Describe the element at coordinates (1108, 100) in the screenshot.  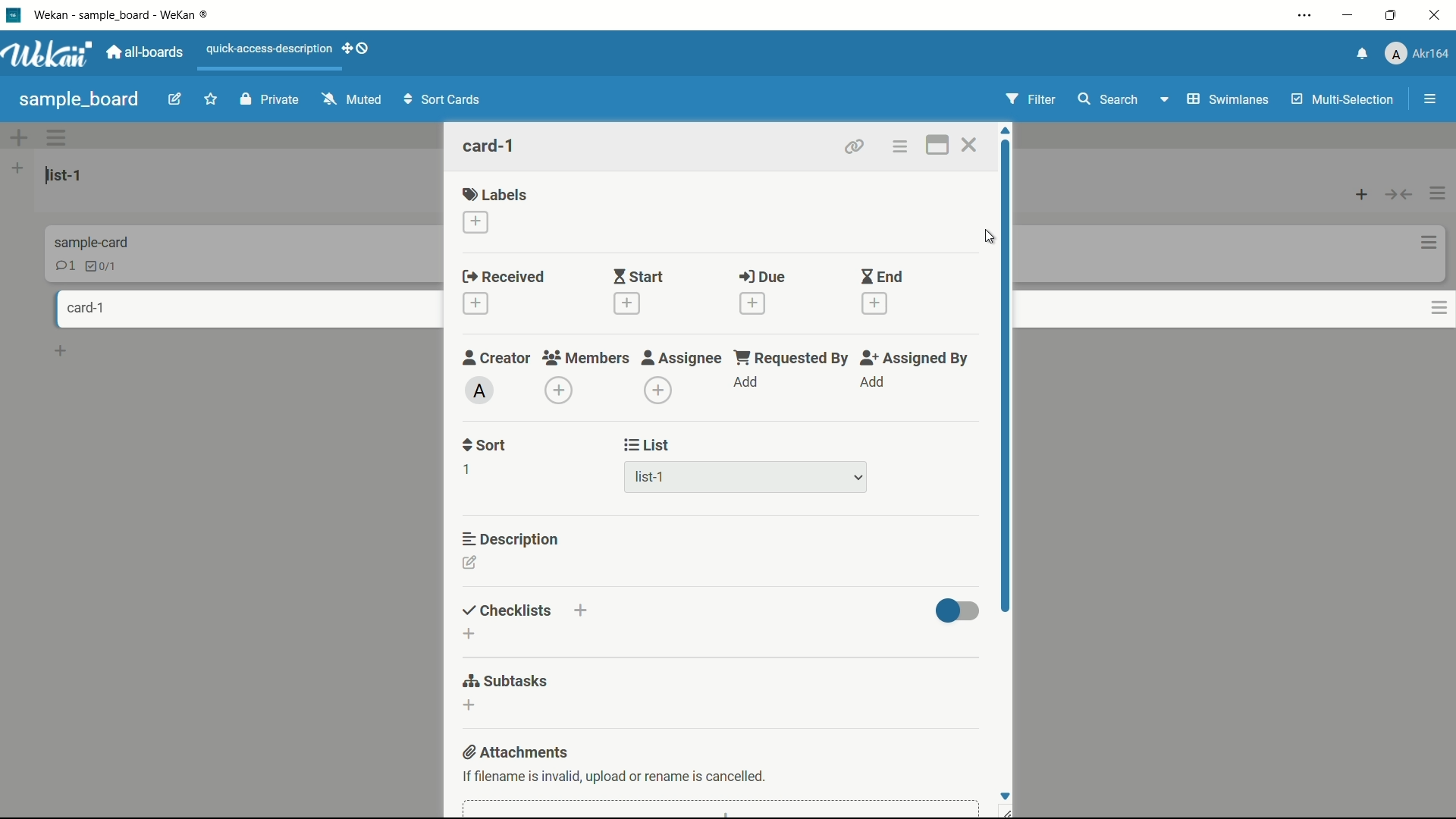
I see `search` at that location.